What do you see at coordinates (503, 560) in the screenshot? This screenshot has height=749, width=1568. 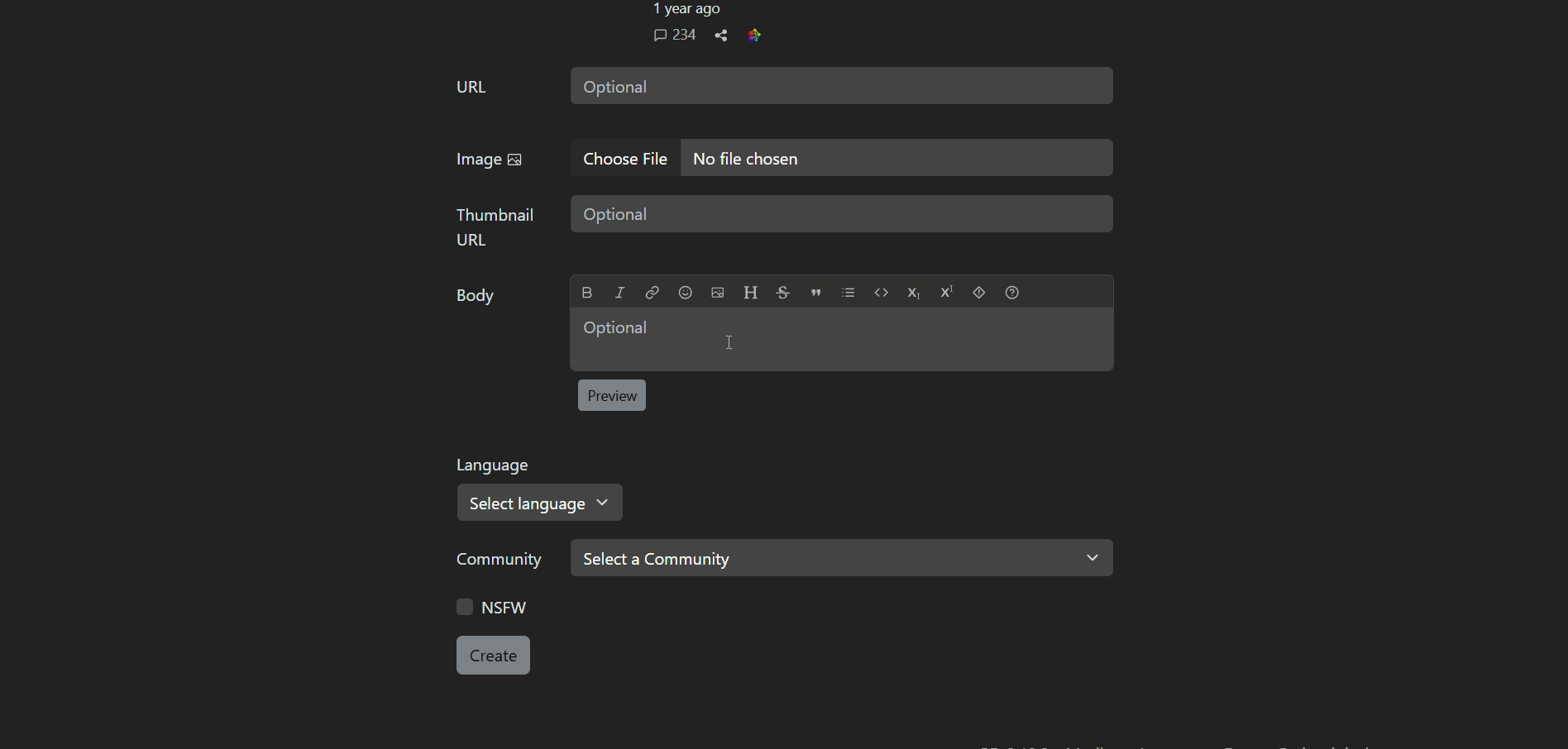 I see `community` at bounding box center [503, 560].